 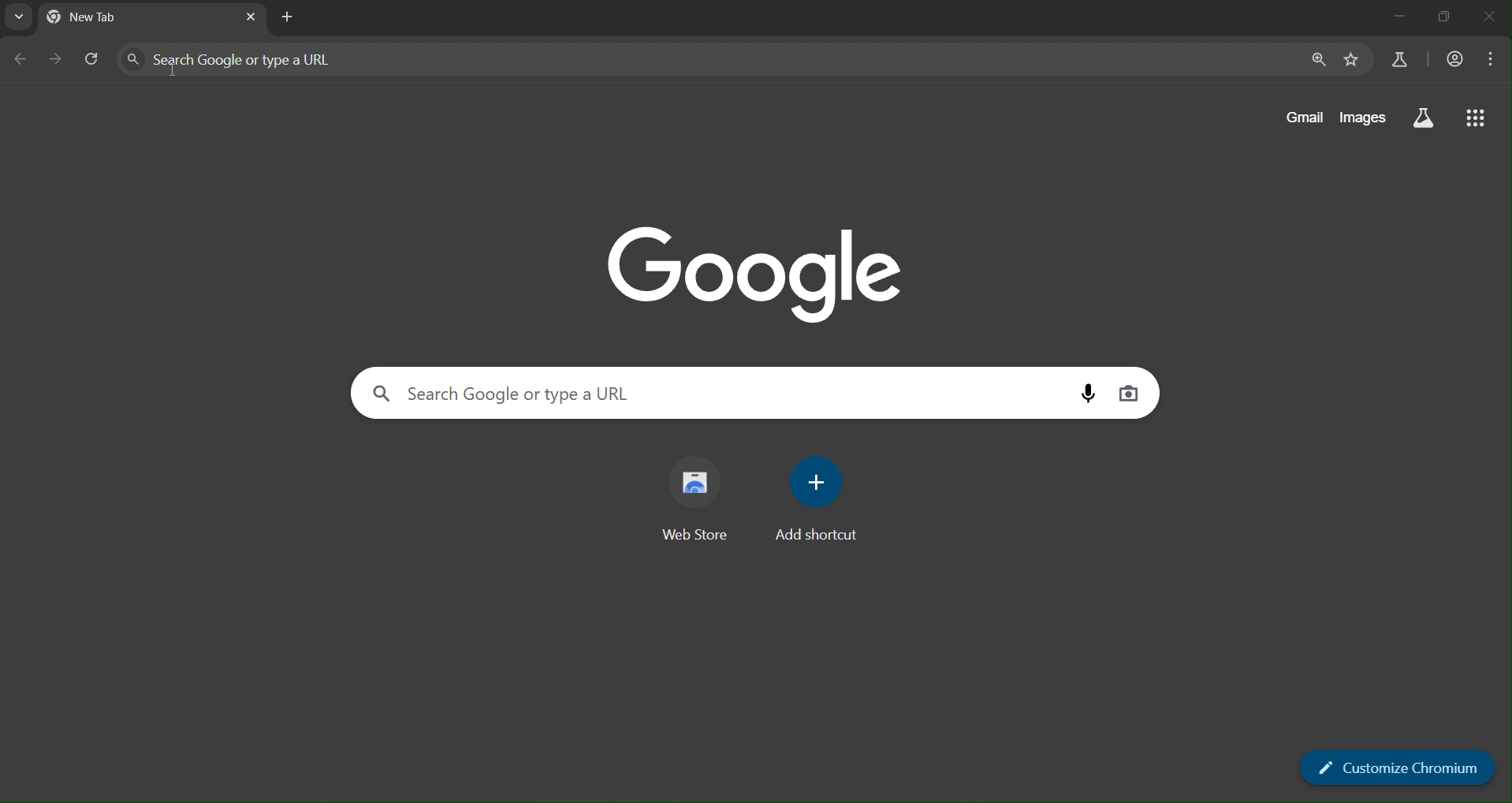 I want to click on new tab, so click(x=286, y=20).